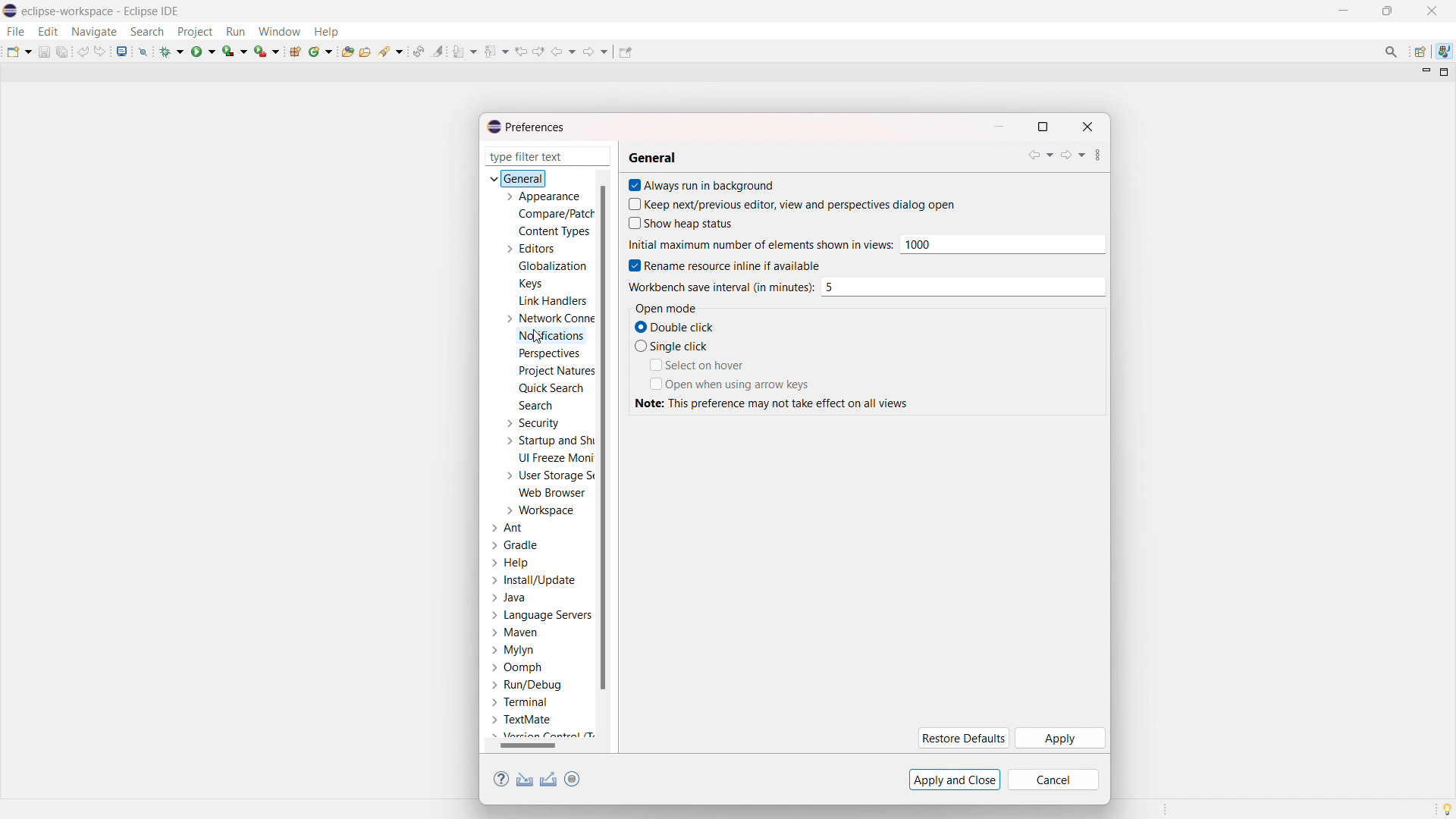 The height and width of the screenshot is (819, 1456). I want to click on keep next/previous editor, view and perspectives dialog open, so click(800, 205).